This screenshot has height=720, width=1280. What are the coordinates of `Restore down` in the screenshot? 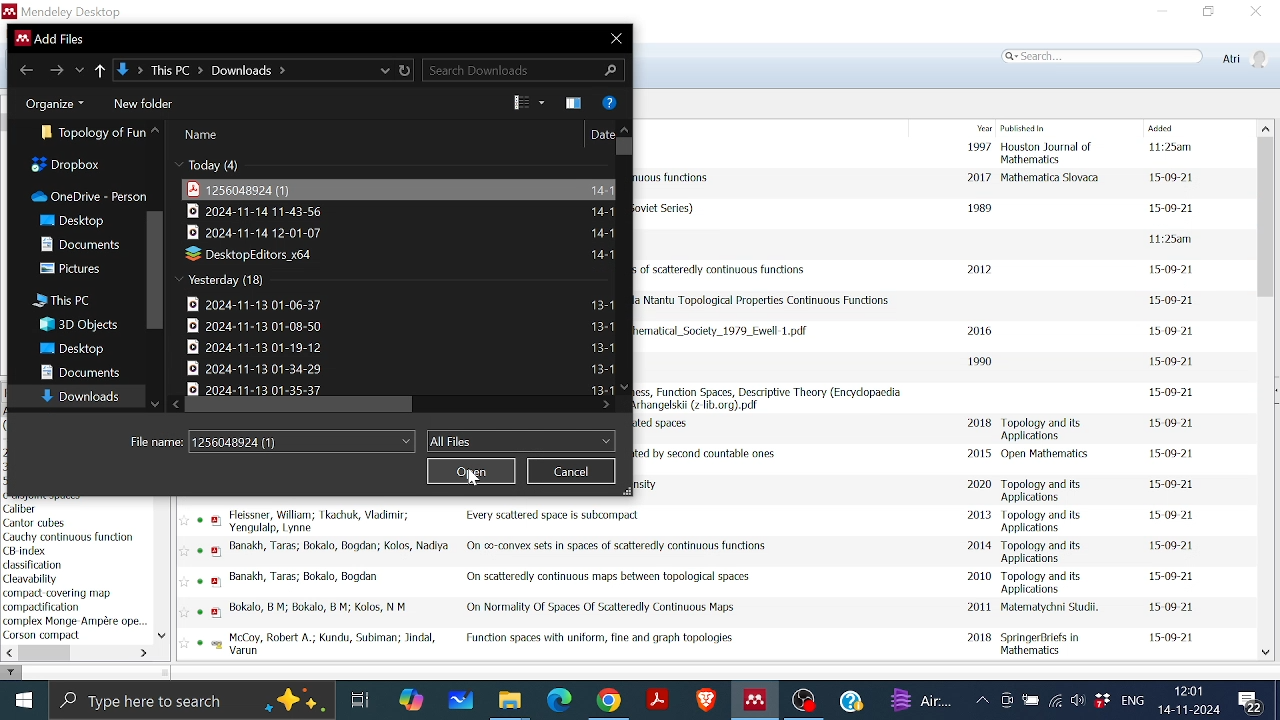 It's located at (1209, 12).